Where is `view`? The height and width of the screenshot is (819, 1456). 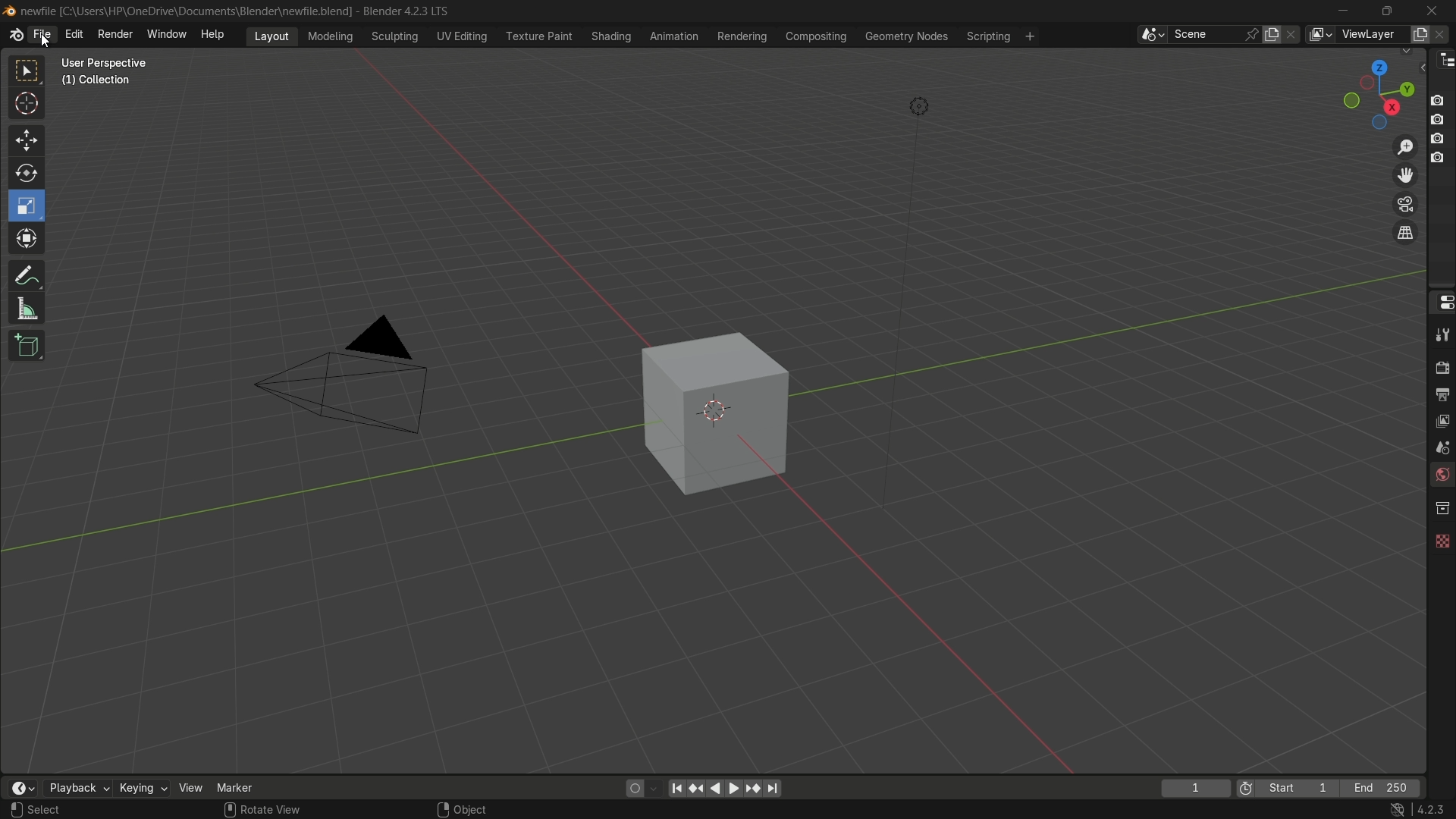
view is located at coordinates (191, 787).